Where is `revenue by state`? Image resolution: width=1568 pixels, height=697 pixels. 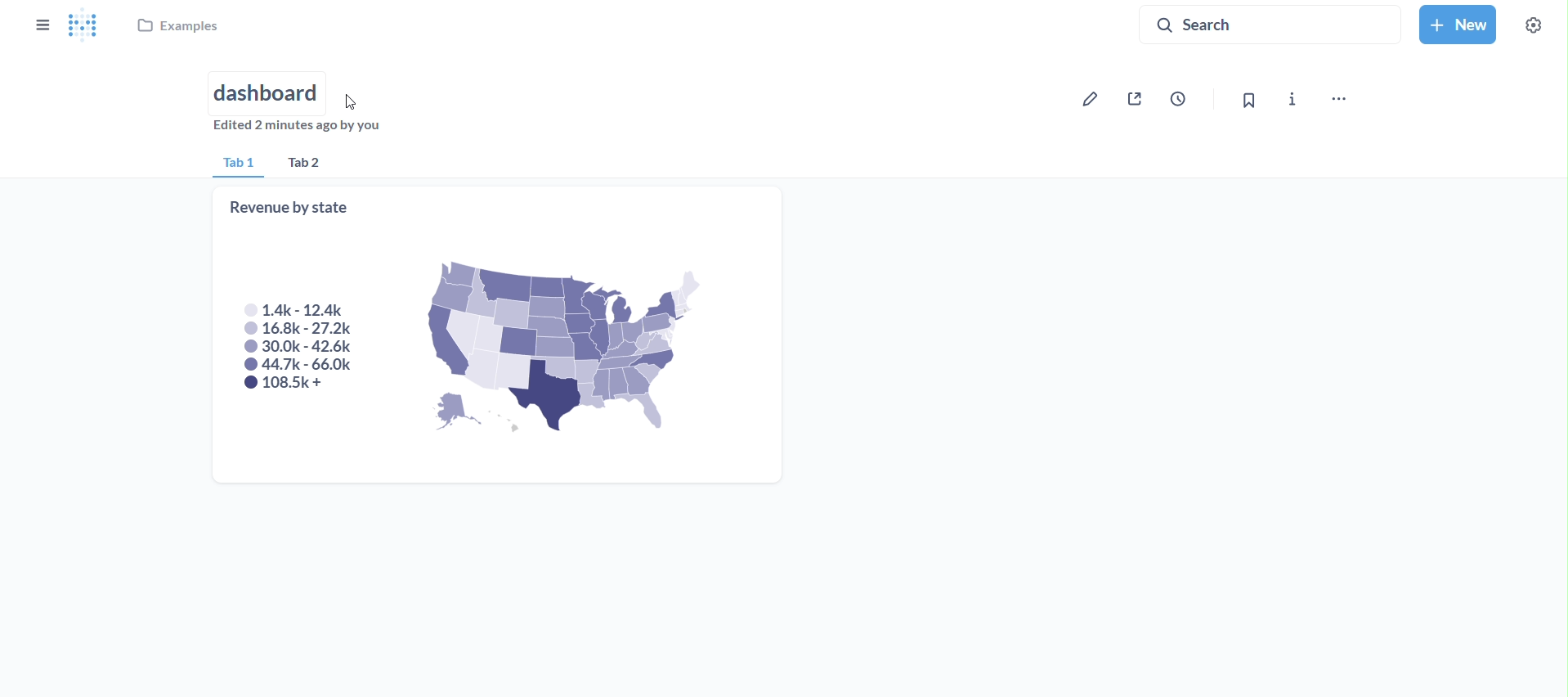
revenue by state is located at coordinates (498, 335).